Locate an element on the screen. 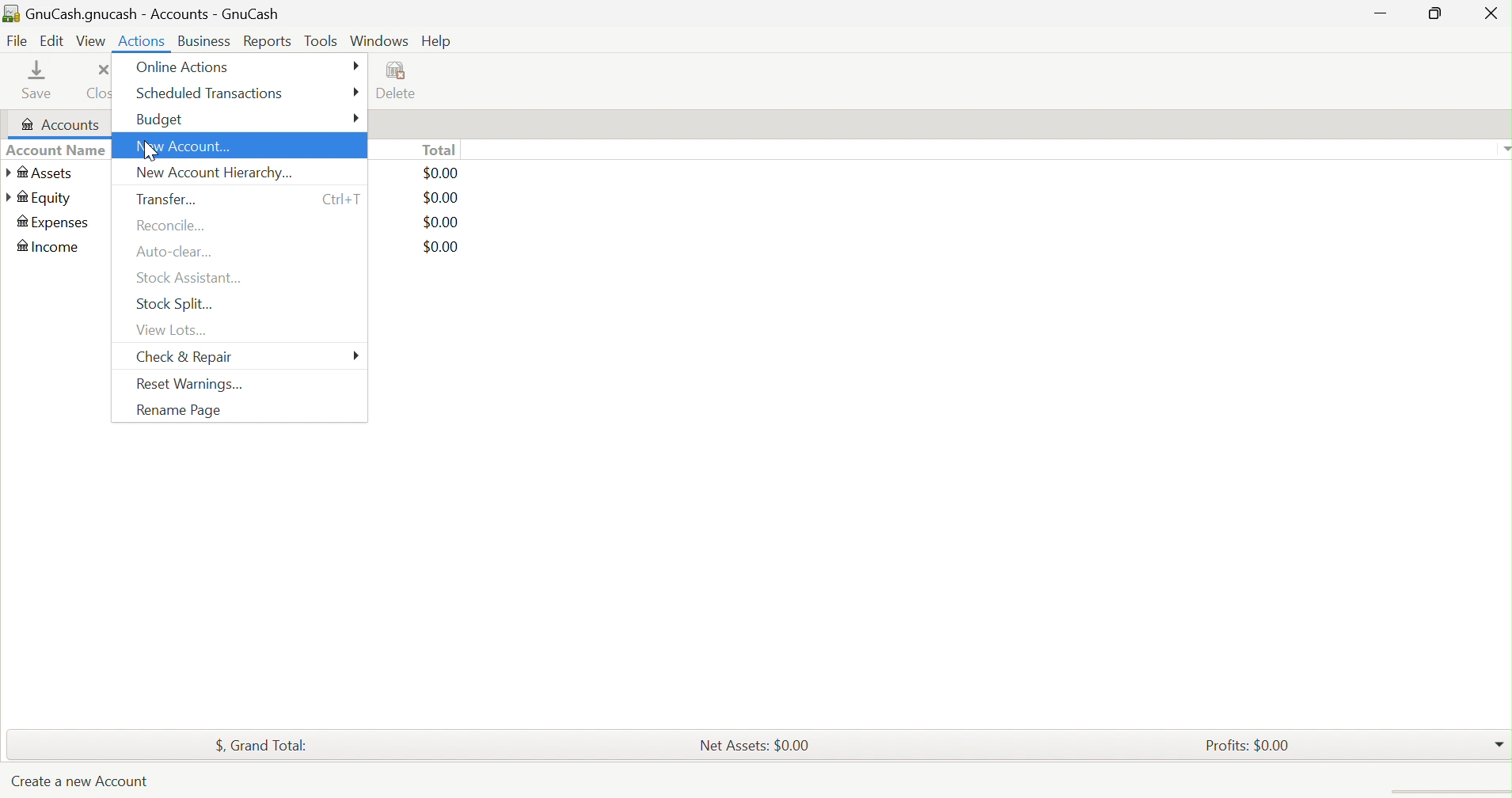 Image resolution: width=1512 pixels, height=798 pixels. Auto-clear... is located at coordinates (177, 252).